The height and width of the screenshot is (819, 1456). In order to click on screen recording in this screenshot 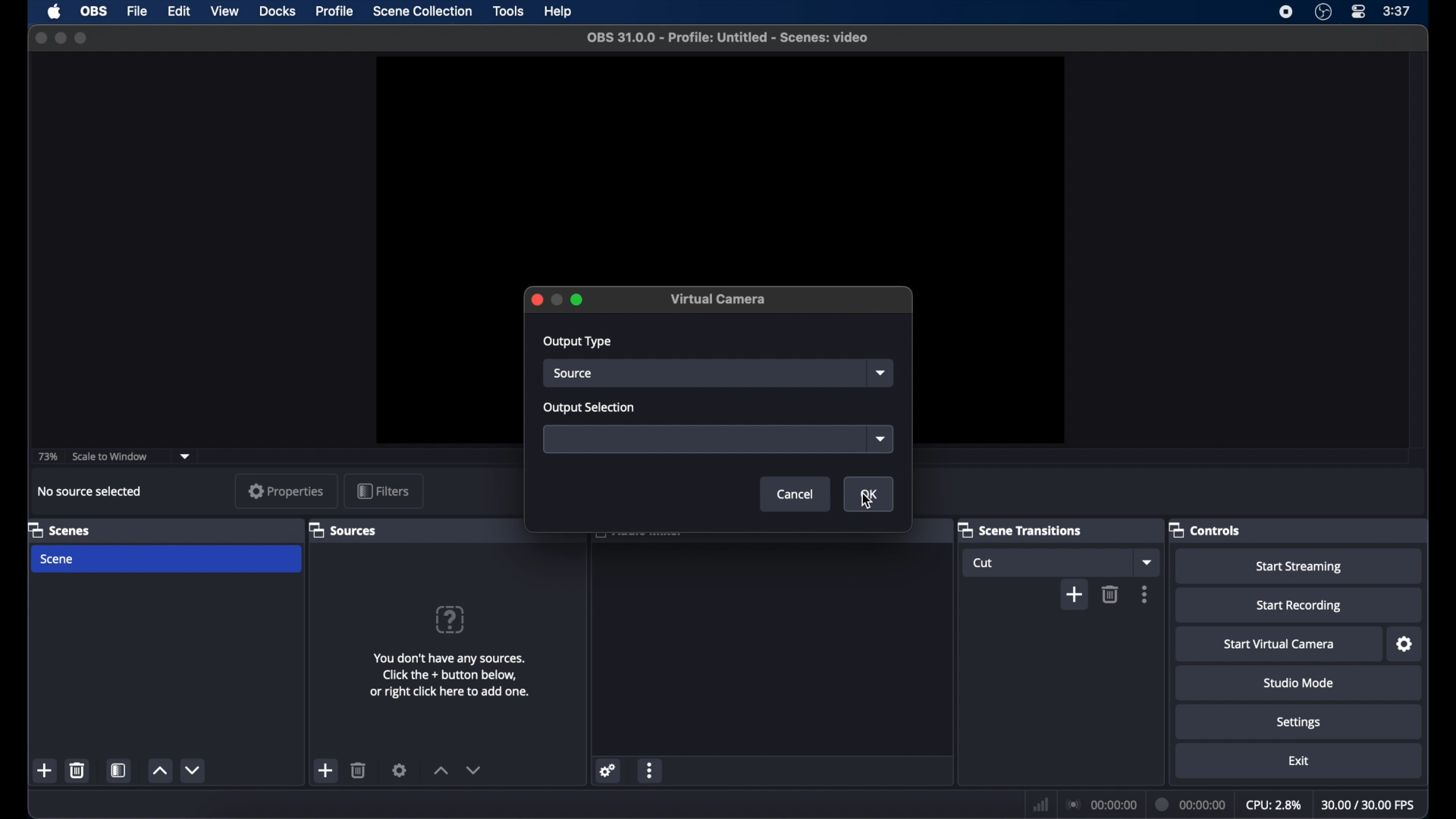, I will do `click(1286, 12)`.